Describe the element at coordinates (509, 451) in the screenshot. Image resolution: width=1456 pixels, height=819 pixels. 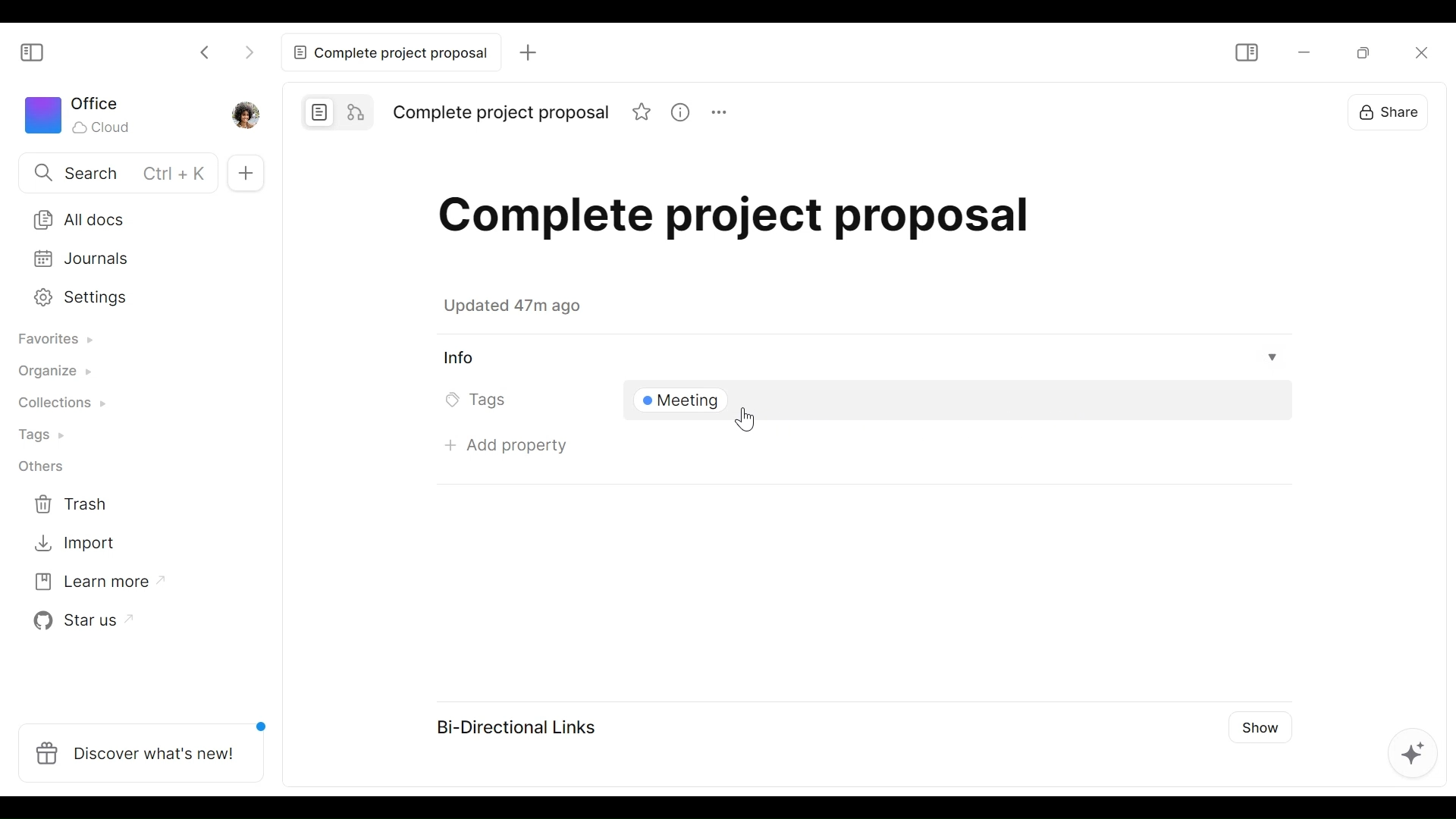
I see `Add property` at that location.